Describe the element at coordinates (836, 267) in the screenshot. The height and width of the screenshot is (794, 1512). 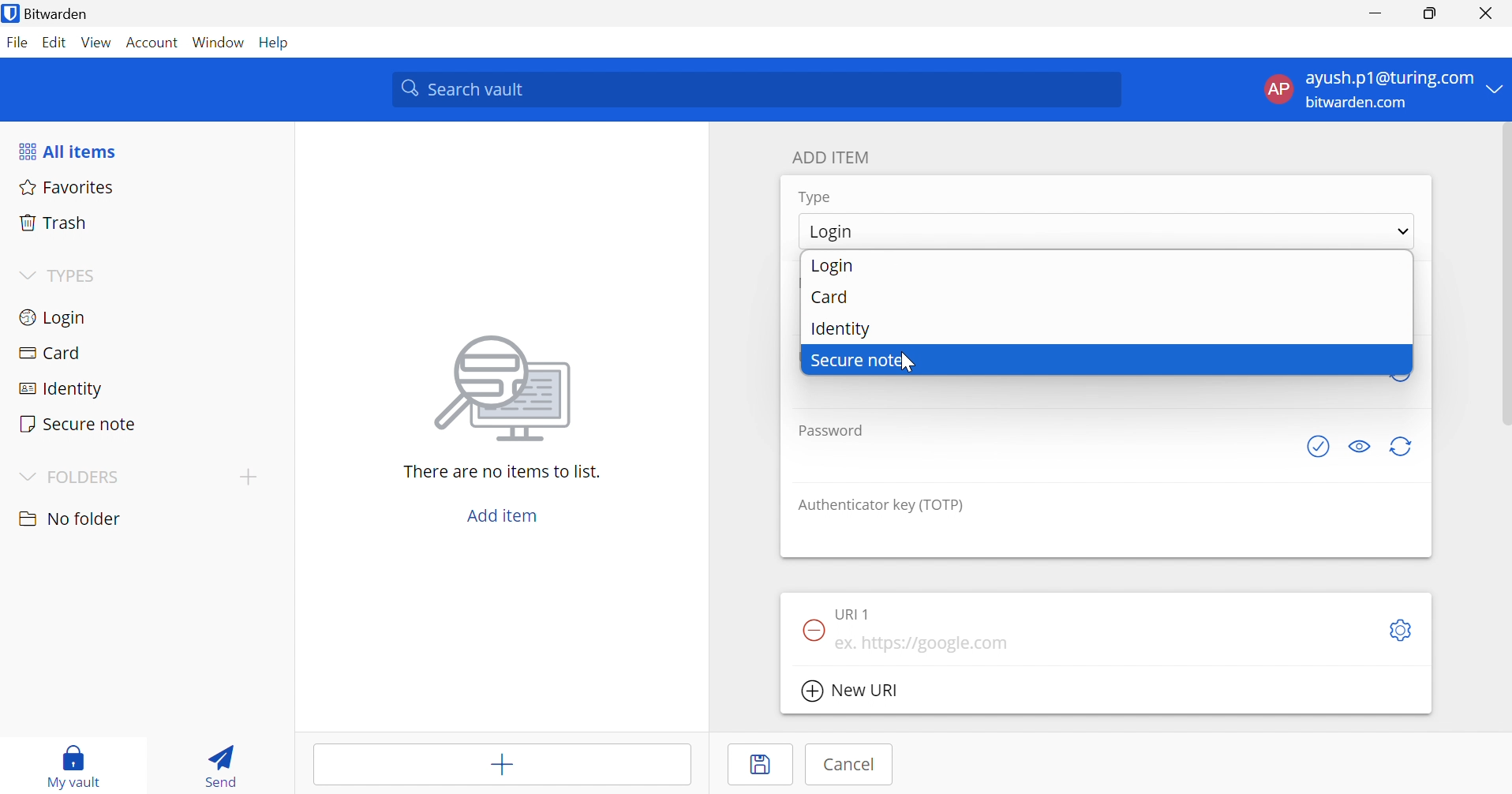
I see `Login` at that location.